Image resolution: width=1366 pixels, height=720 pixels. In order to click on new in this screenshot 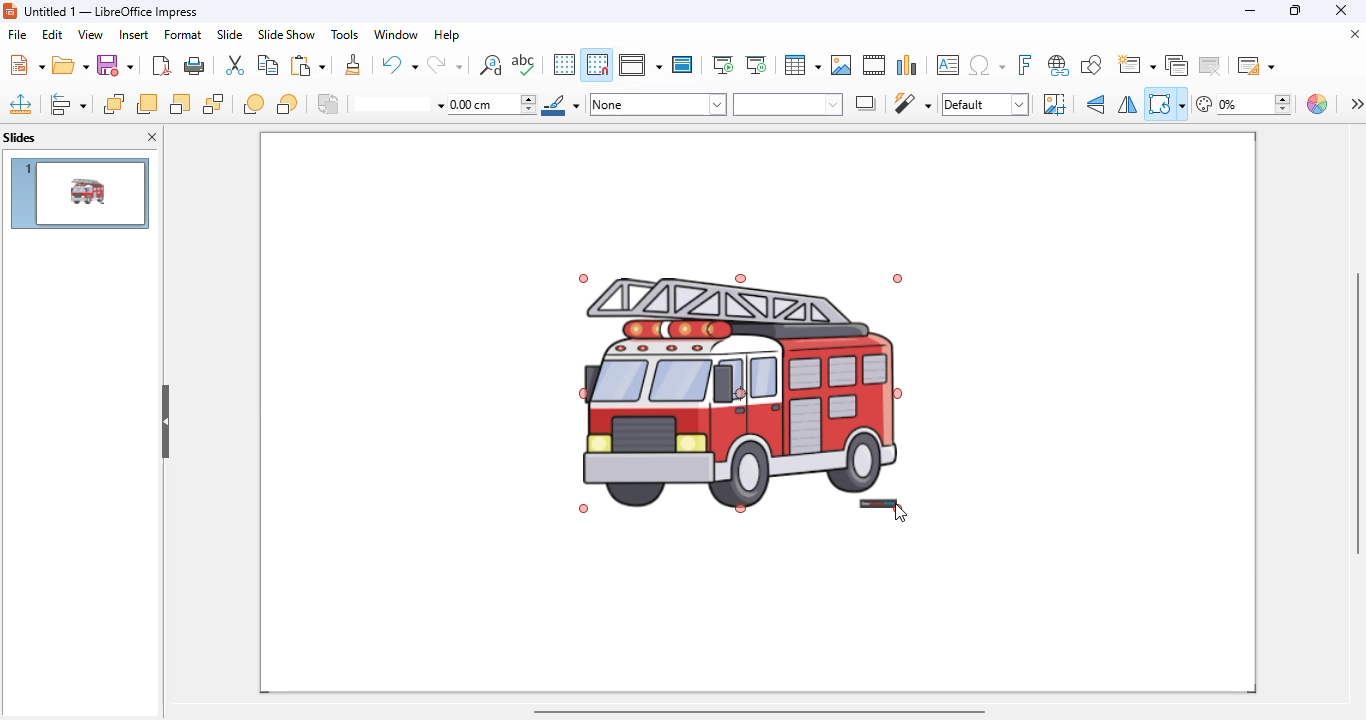, I will do `click(26, 64)`.